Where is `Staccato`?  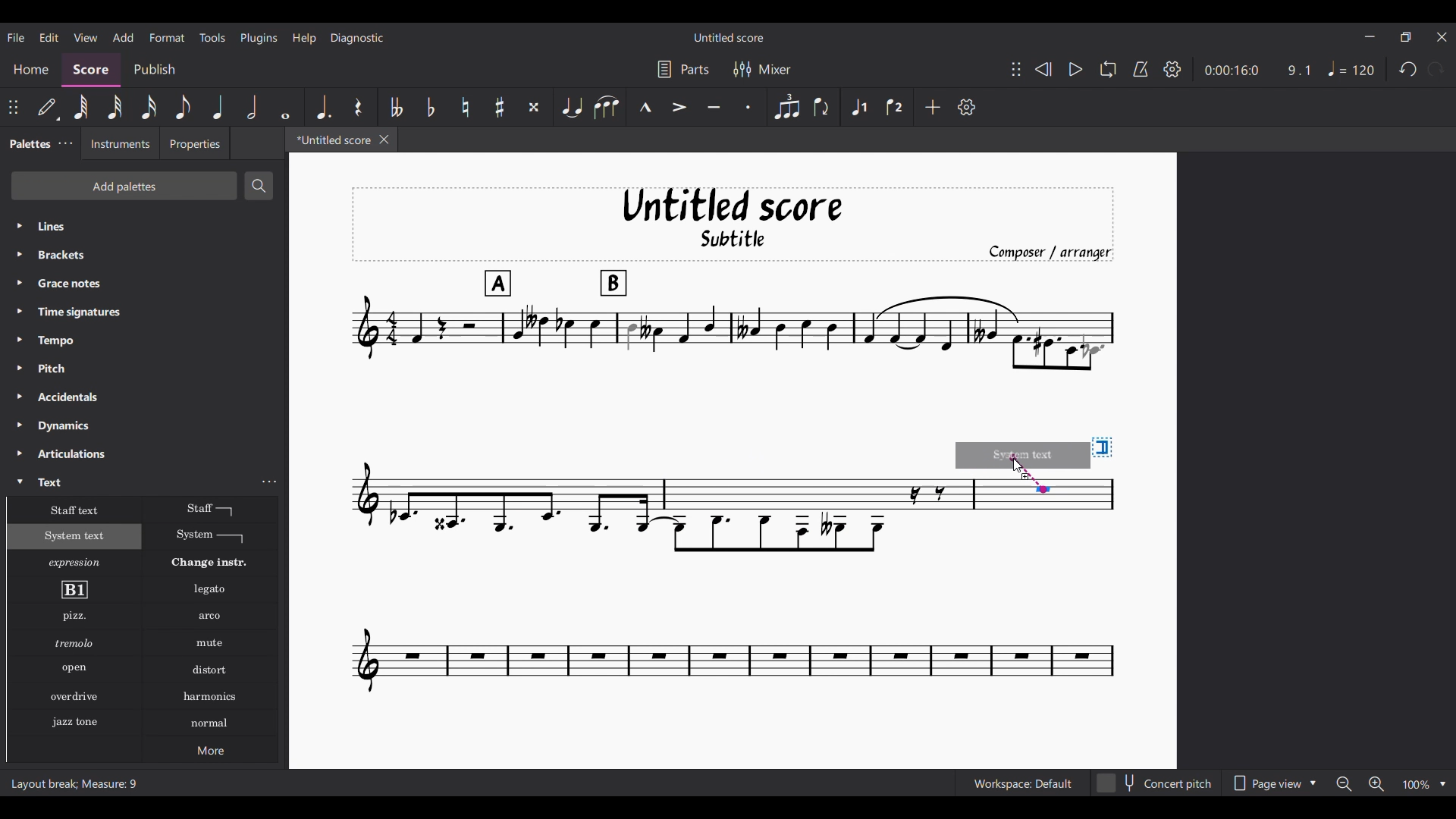 Staccato is located at coordinates (748, 107).